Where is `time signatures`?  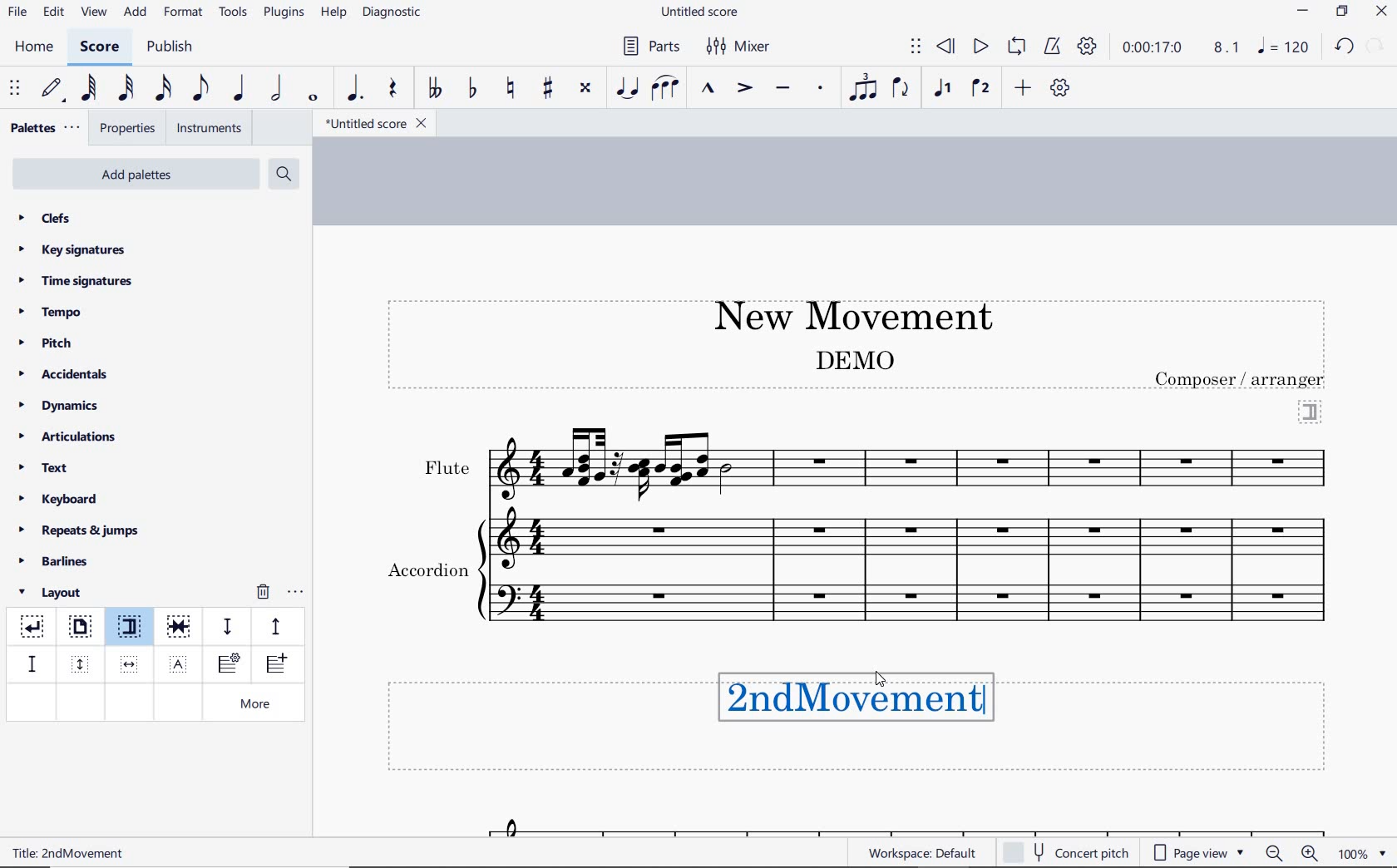 time signatures is located at coordinates (76, 280).